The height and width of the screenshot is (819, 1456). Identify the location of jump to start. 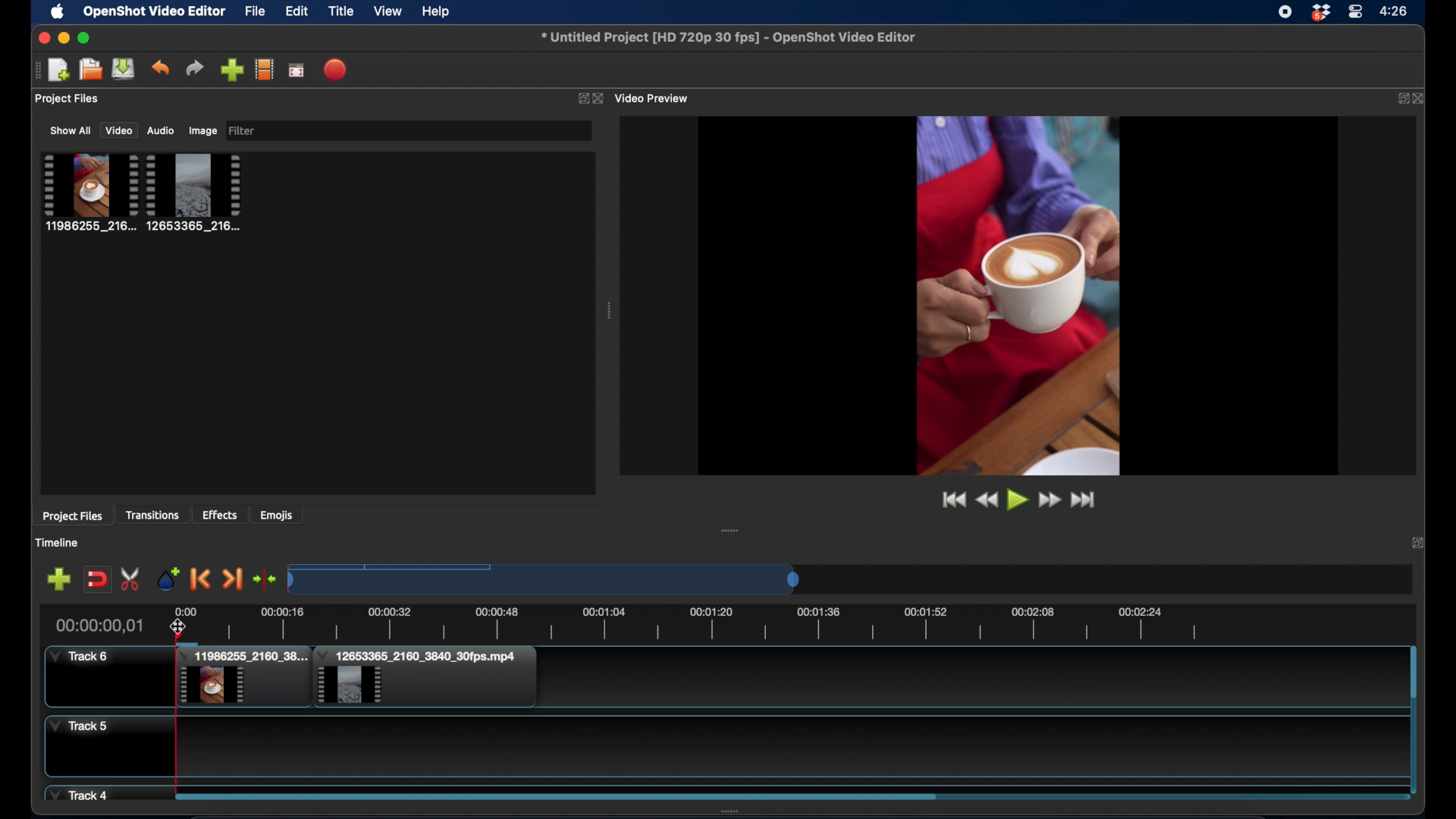
(951, 499).